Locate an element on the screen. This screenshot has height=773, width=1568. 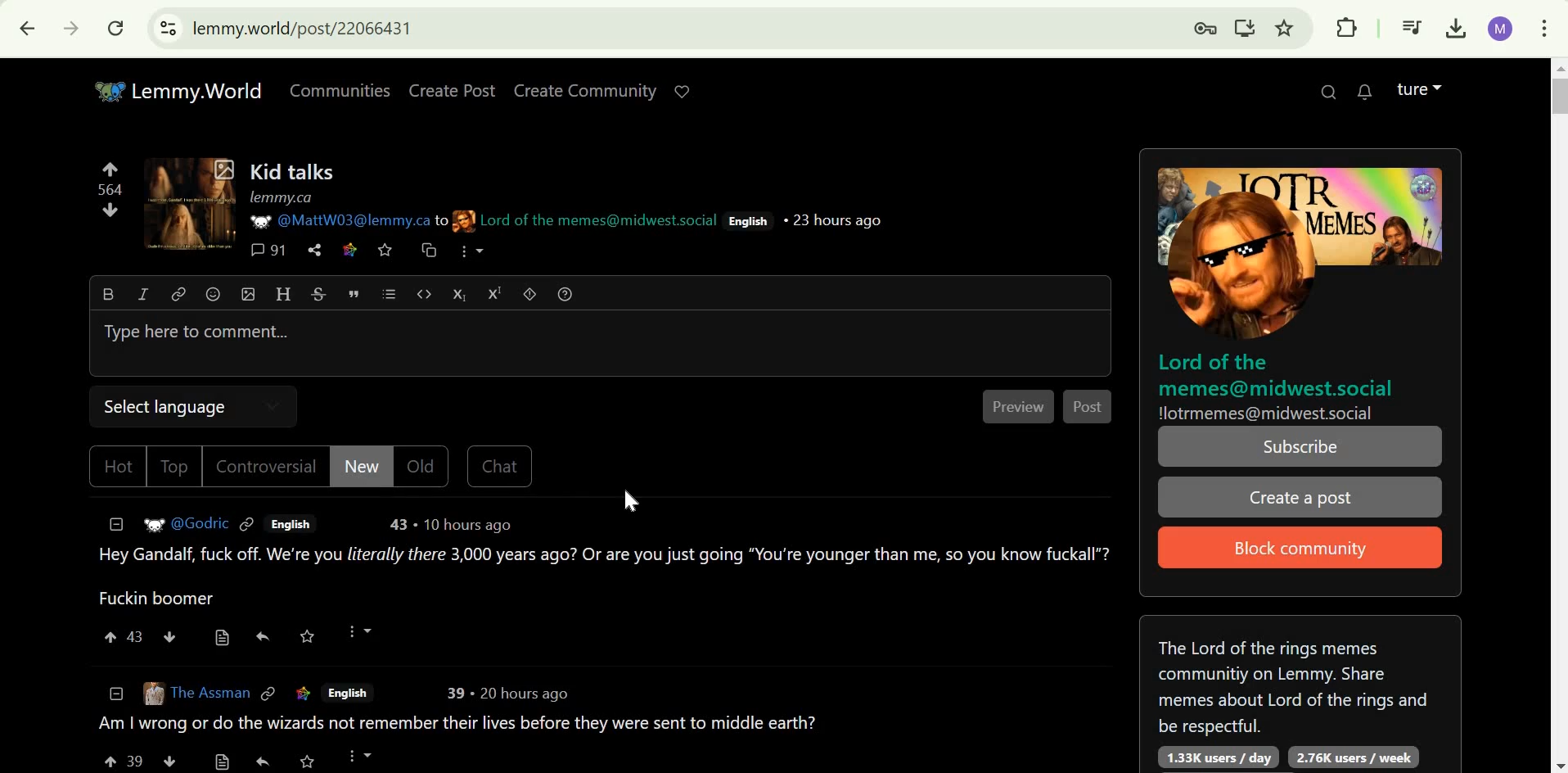
View site information is located at coordinates (168, 28).